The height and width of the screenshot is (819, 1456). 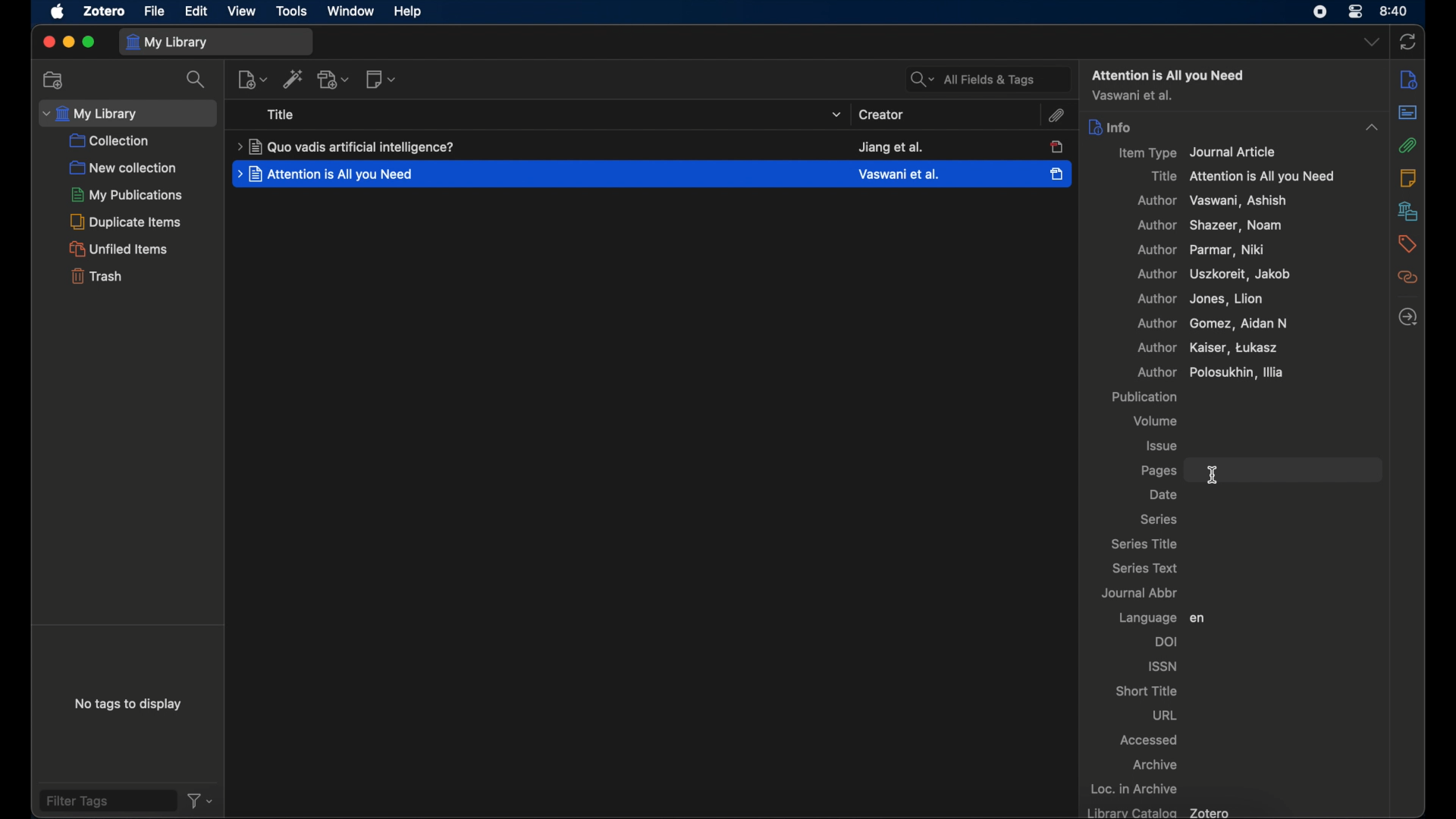 What do you see at coordinates (216, 41) in the screenshot?
I see `my library` at bounding box center [216, 41].